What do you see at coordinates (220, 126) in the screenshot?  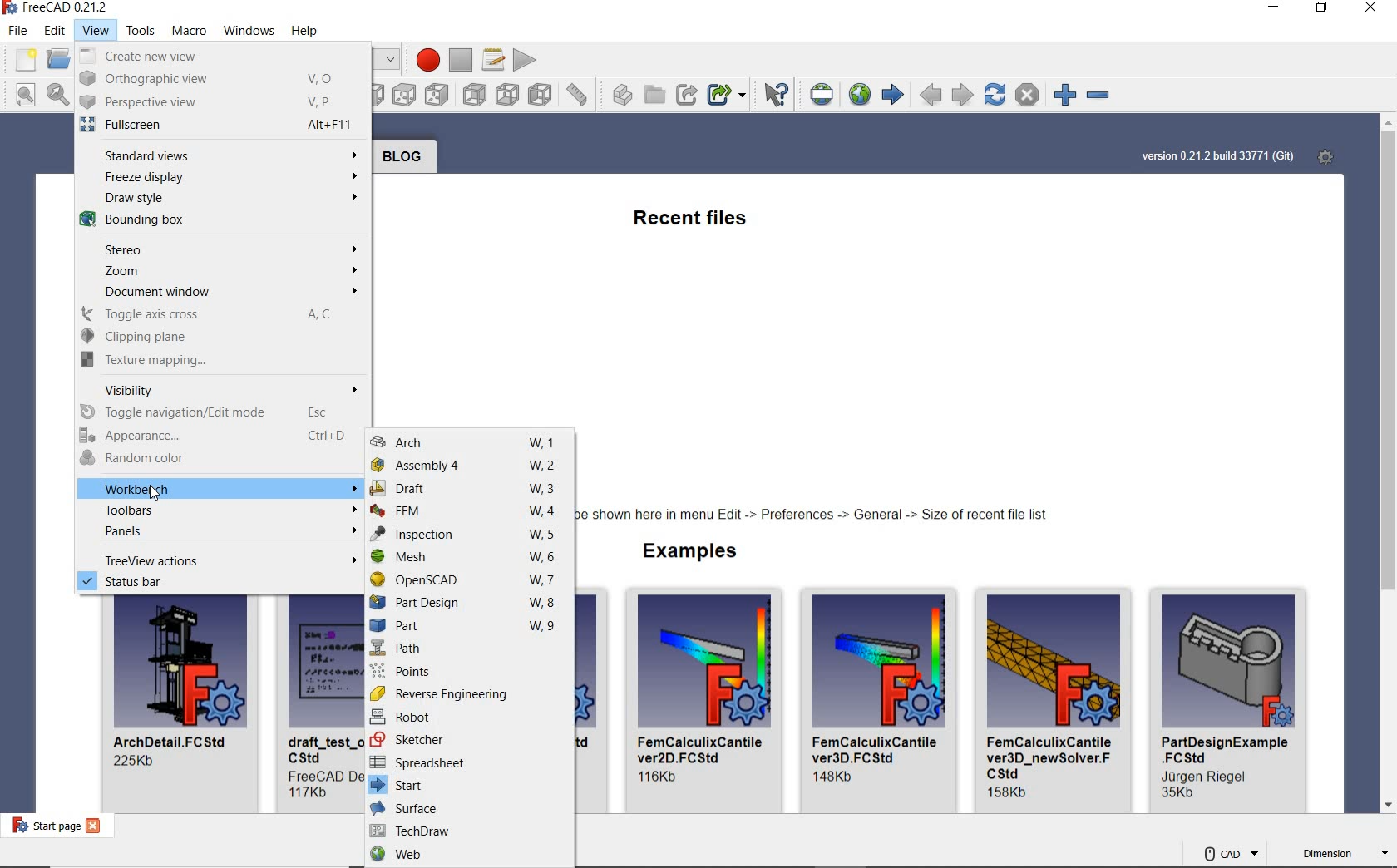 I see `fullscreen` at bounding box center [220, 126].